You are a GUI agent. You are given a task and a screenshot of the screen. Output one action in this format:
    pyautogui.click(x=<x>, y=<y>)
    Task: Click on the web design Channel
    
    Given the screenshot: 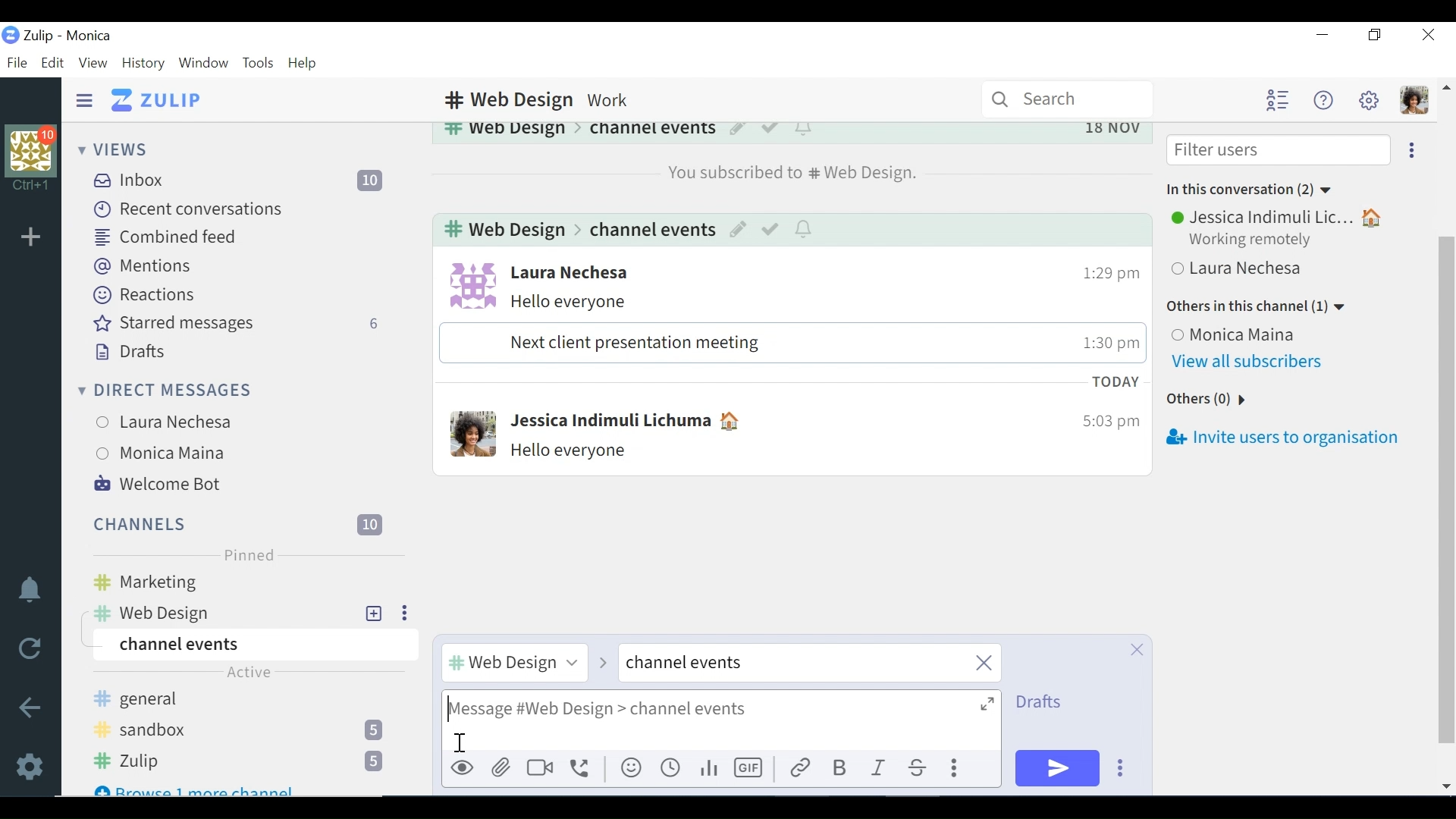 What is the action you would take?
    pyautogui.click(x=500, y=135)
    